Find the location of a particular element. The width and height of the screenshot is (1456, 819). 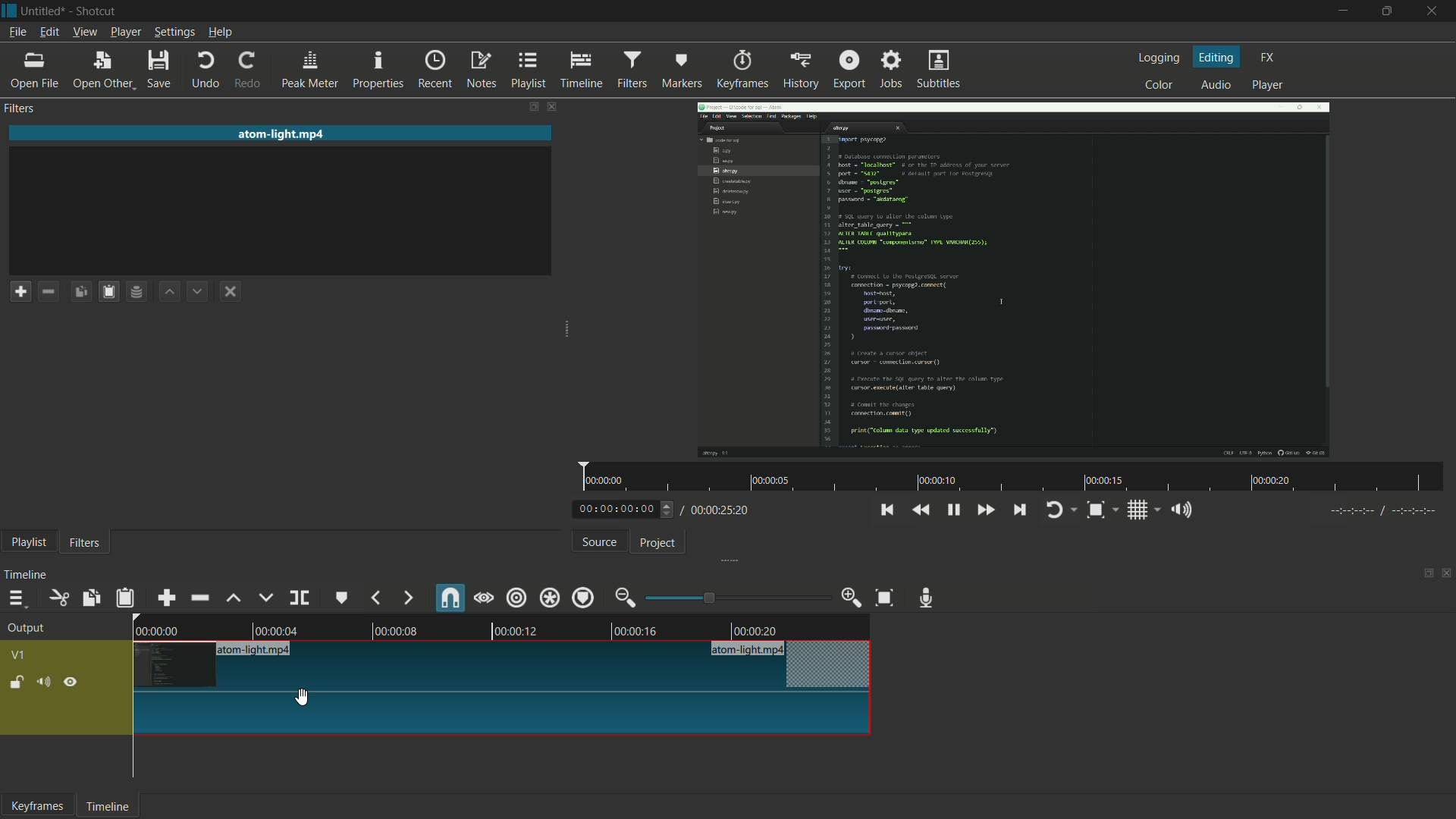

snap is located at coordinates (450, 598).